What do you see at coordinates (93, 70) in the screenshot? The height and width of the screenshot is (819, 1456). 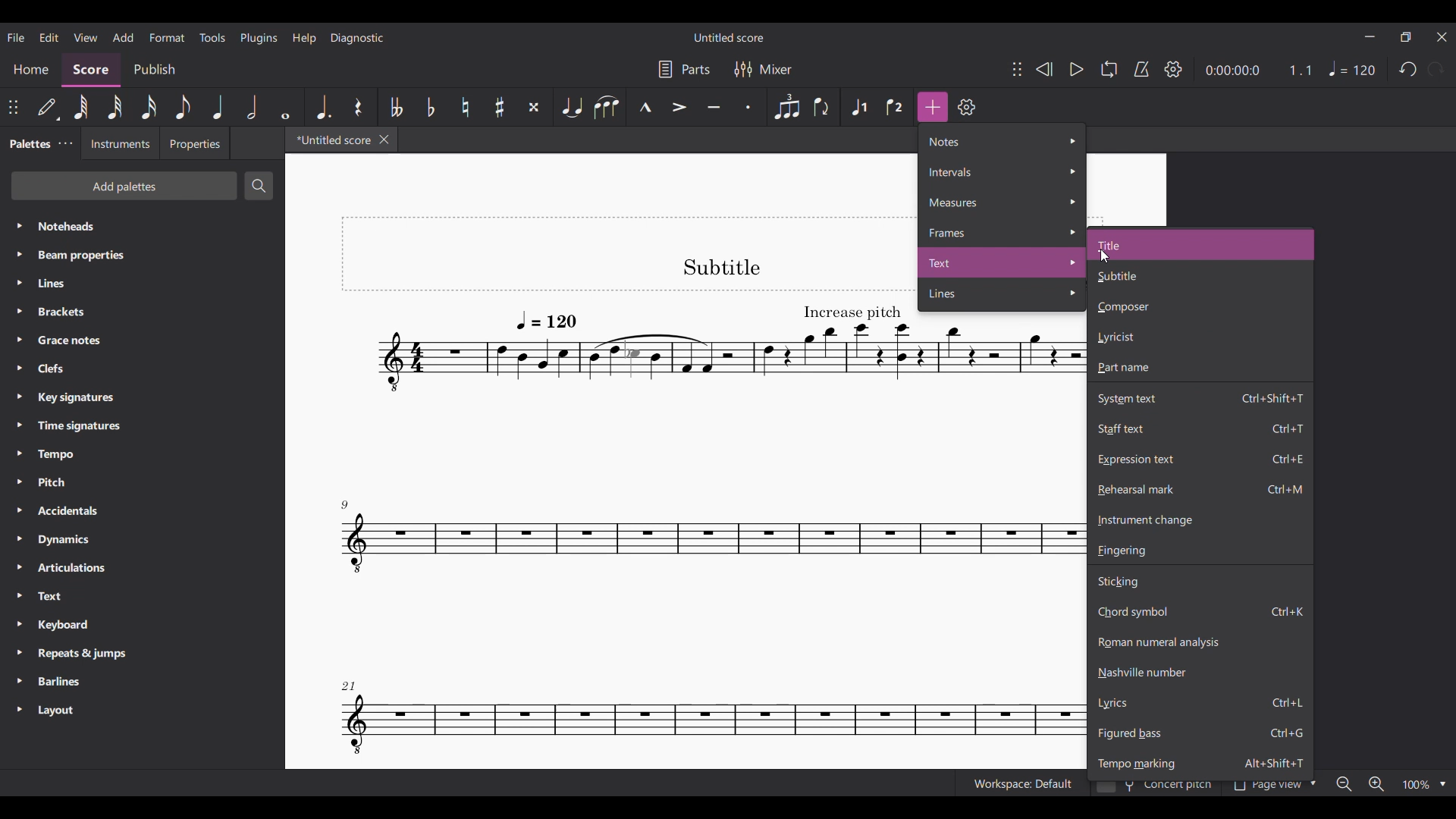 I see `Score, current section highlighted` at bounding box center [93, 70].